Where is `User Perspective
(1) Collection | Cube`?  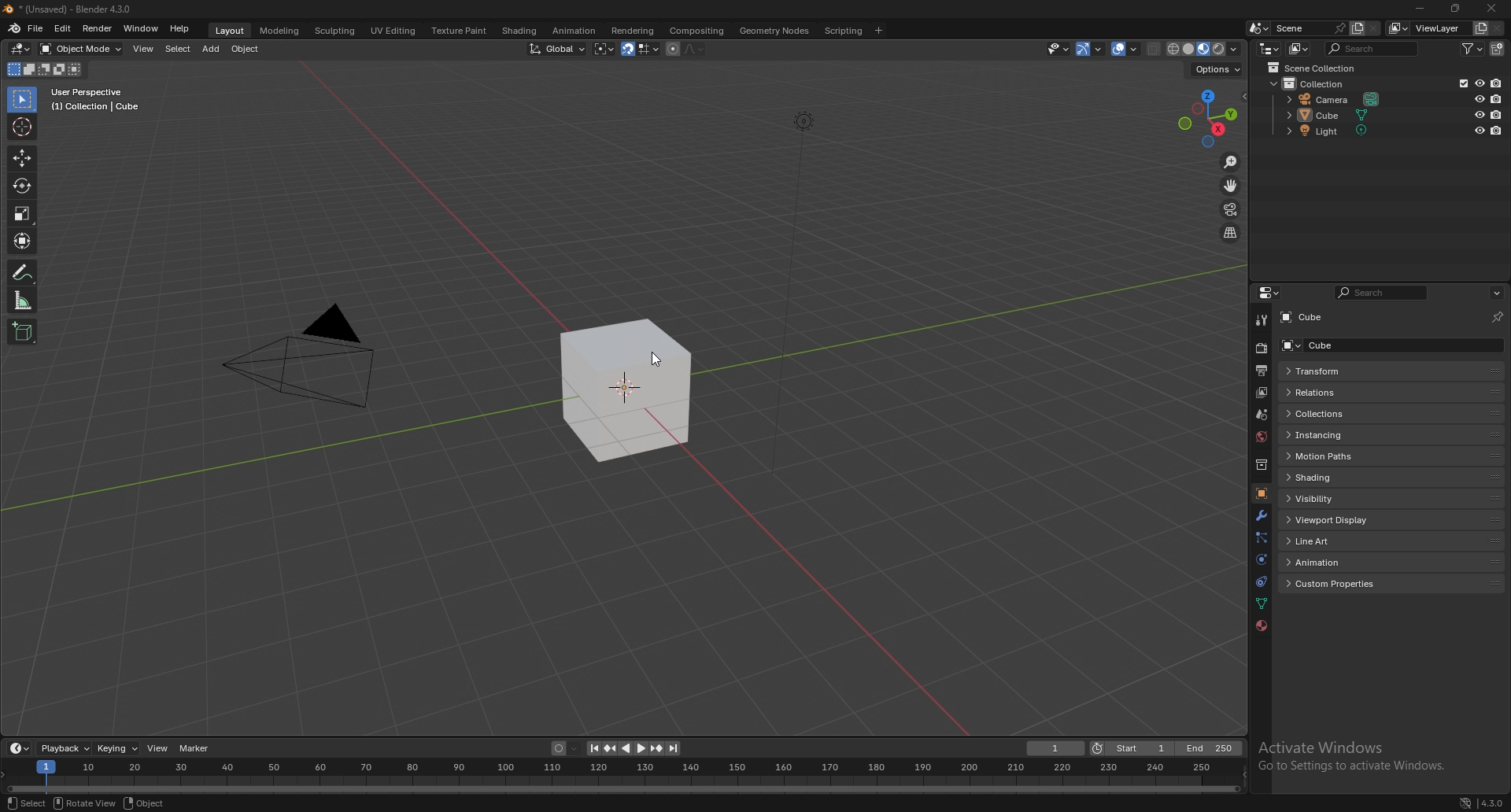
User Perspective
(1) Collection | Cube is located at coordinates (100, 101).